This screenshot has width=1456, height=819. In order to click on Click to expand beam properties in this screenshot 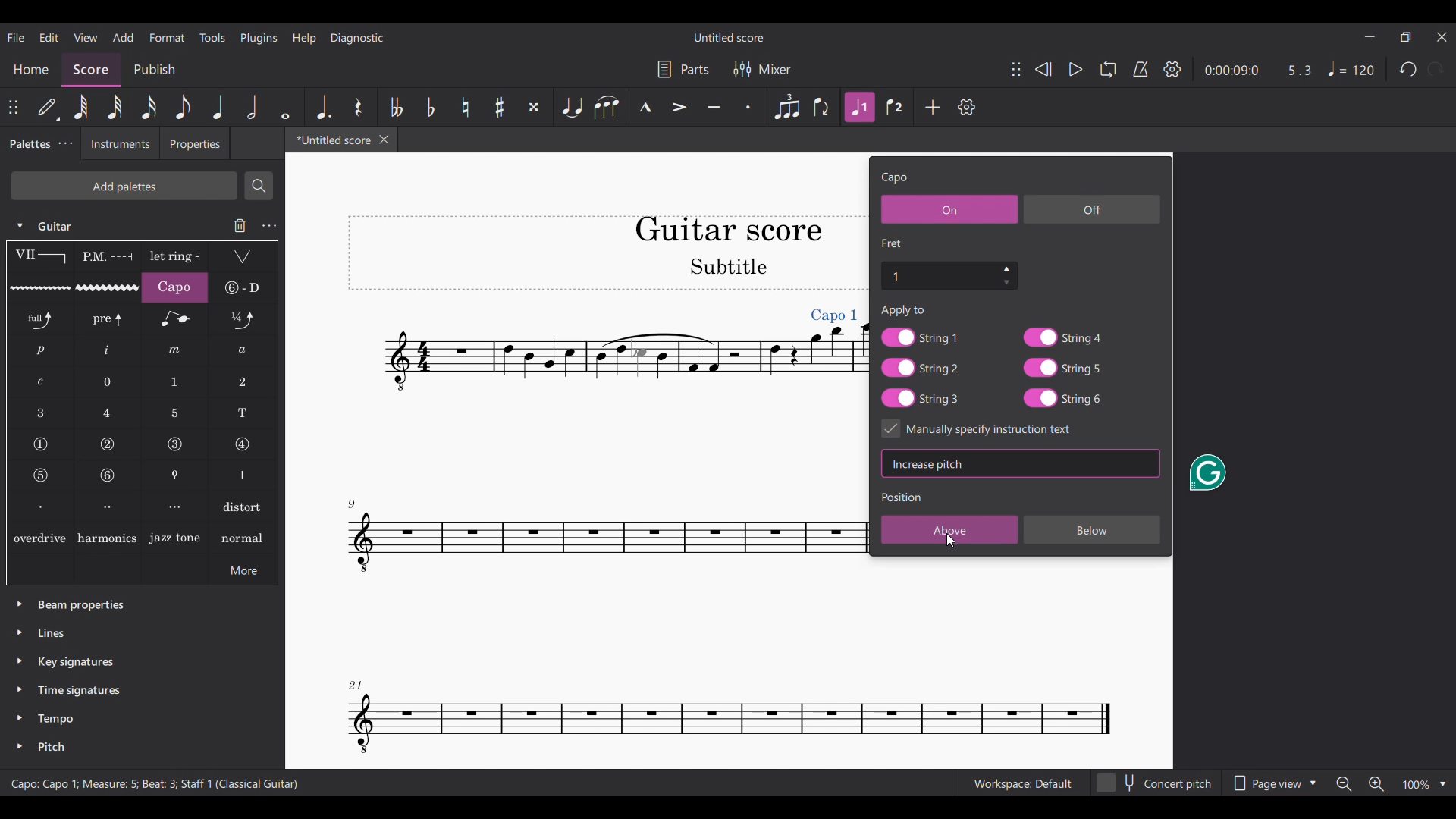, I will do `click(20, 604)`.